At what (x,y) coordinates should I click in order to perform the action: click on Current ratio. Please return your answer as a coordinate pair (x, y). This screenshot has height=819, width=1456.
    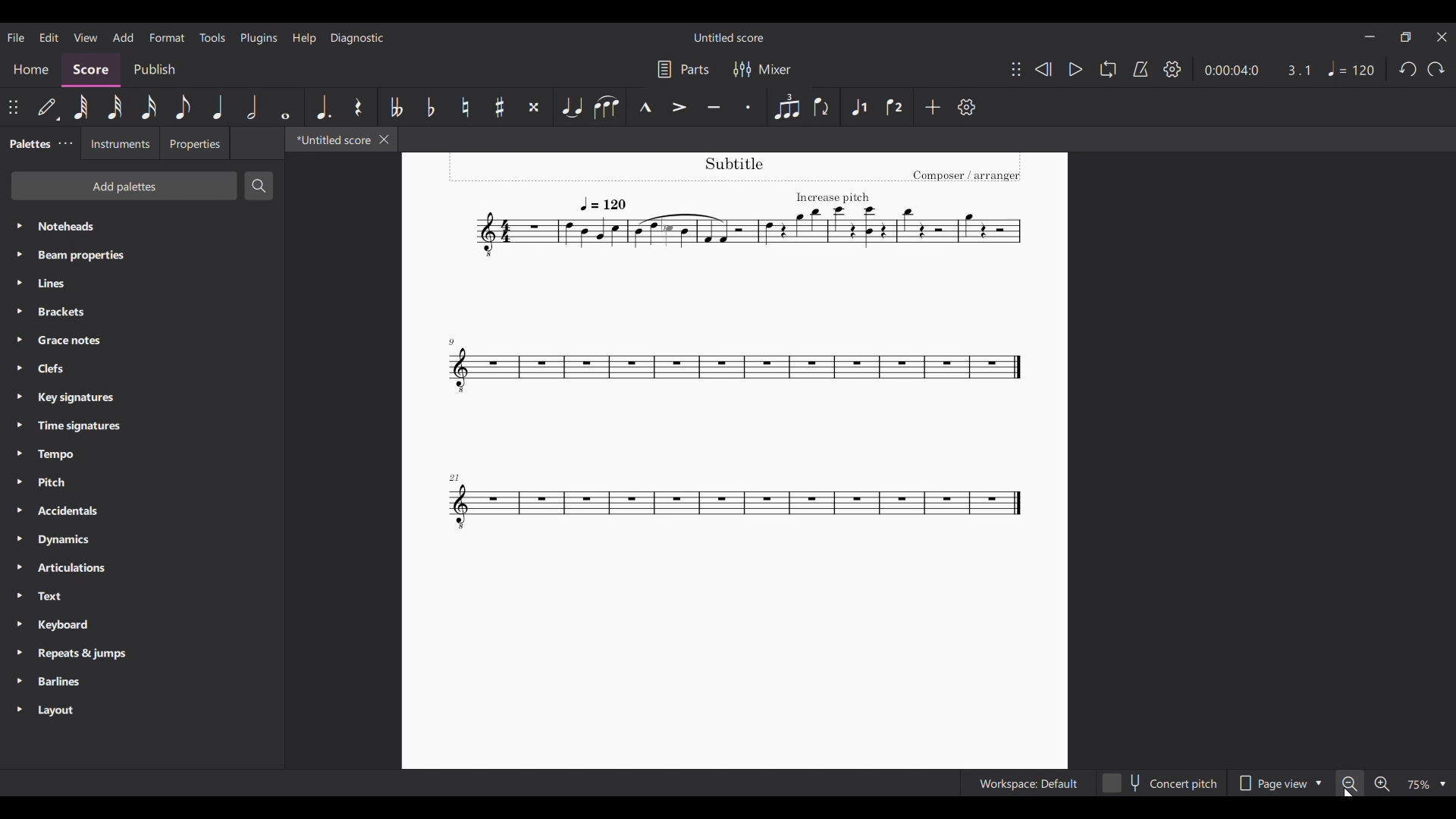
    Looking at the image, I should click on (1298, 70).